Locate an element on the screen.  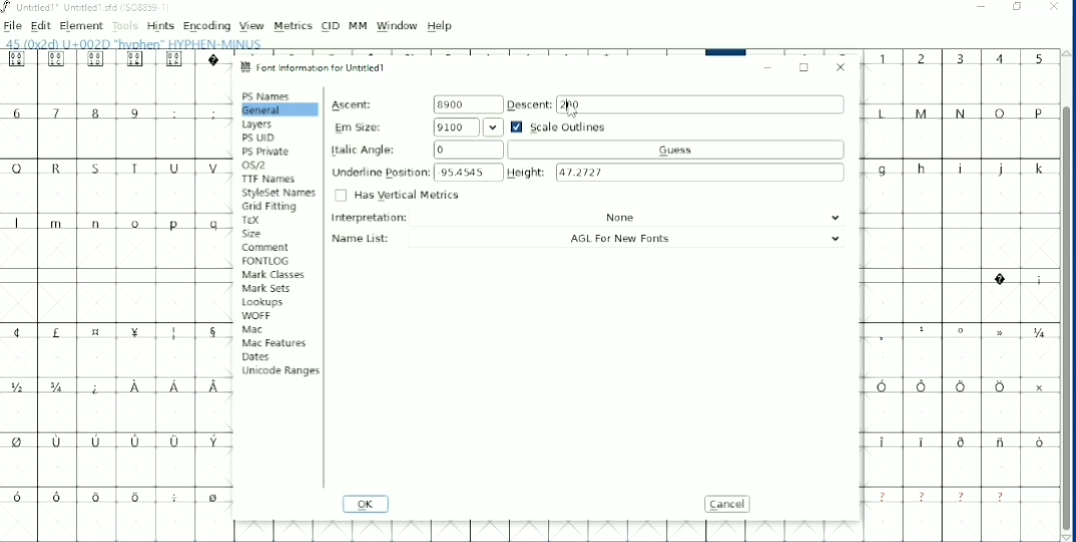
Interpretation is located at coordinates (590, 218).